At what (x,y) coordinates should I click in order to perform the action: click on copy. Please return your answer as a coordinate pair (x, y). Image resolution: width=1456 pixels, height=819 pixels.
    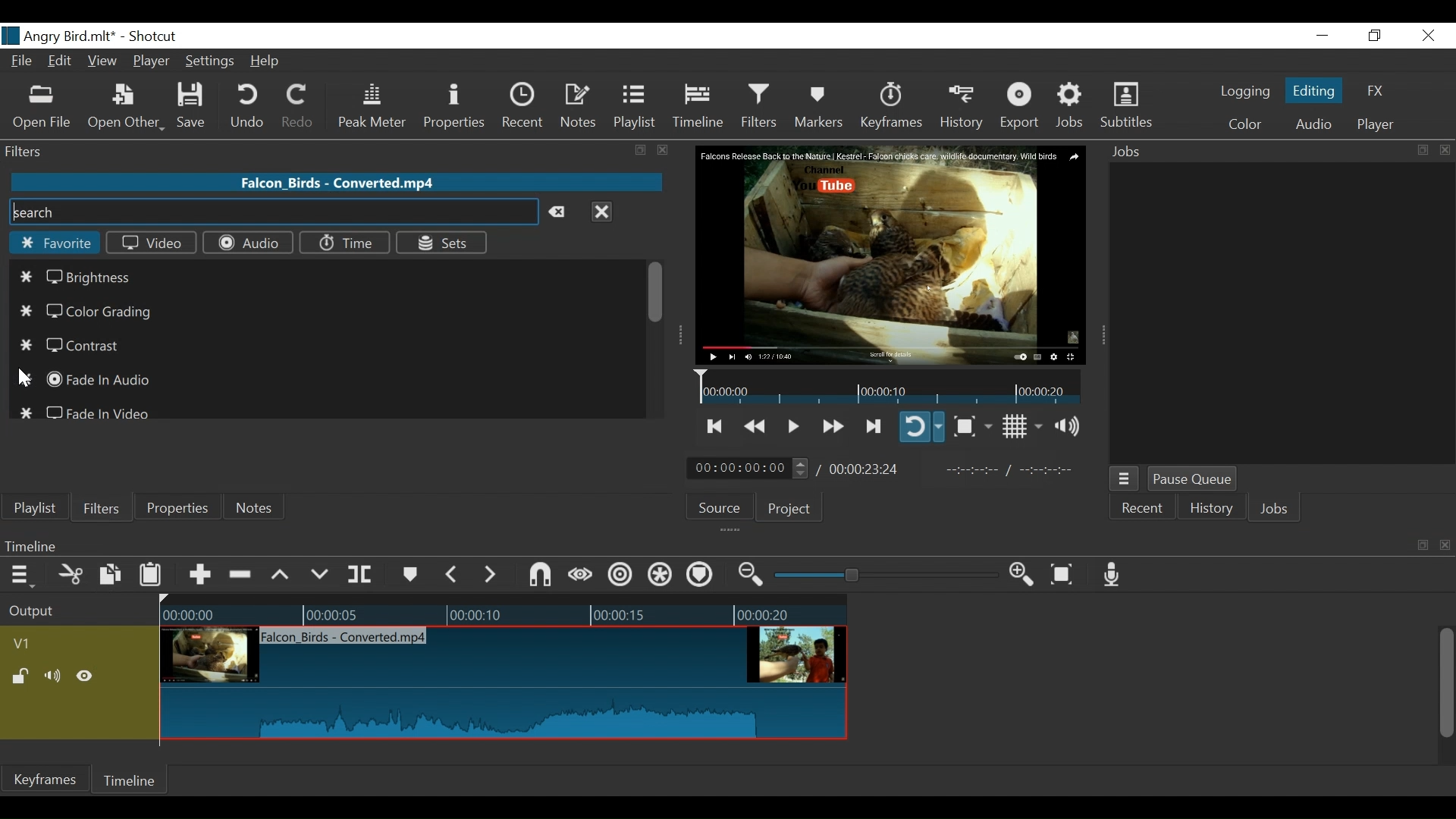
    Looking at the image, I should click on (1423, 545).